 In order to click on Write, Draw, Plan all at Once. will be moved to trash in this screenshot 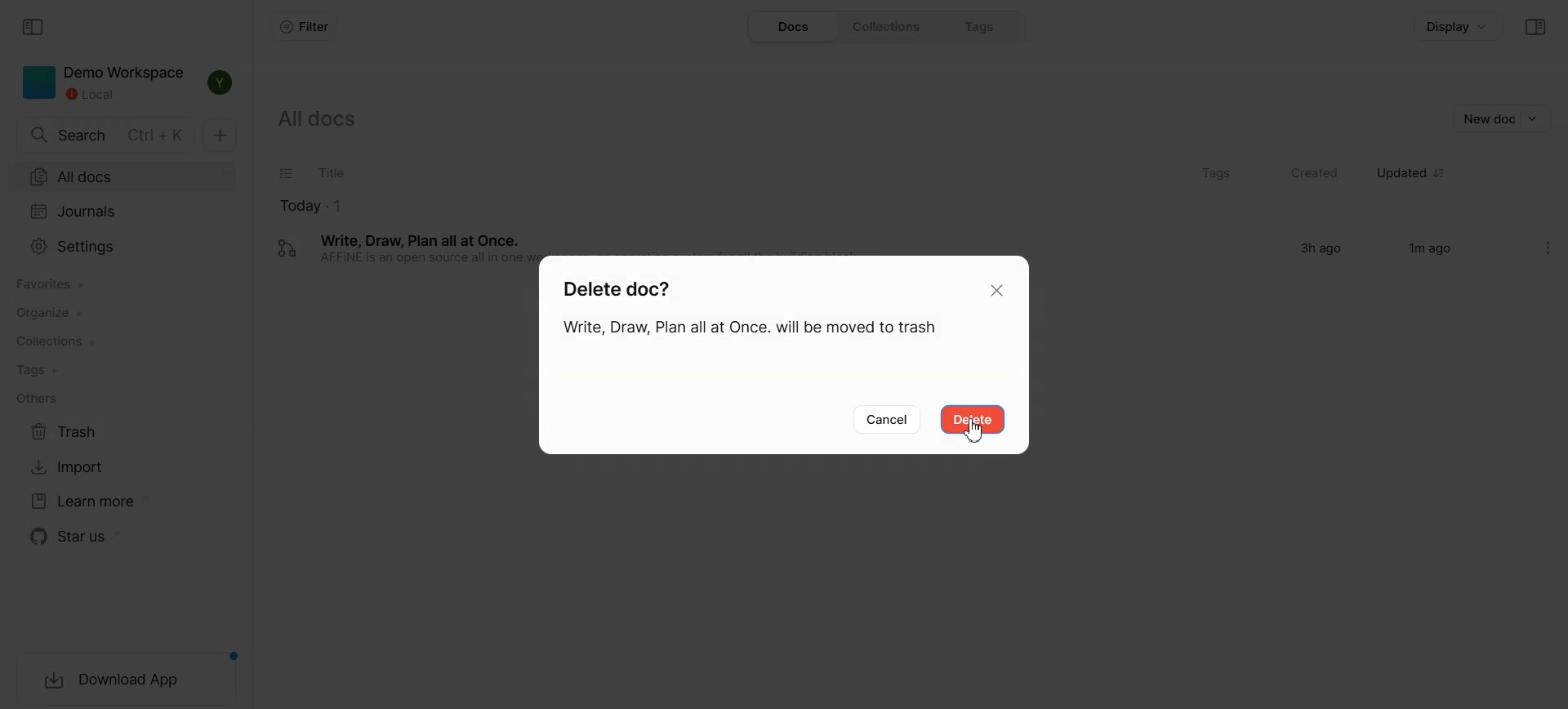, I will do `click(755, 332)`.